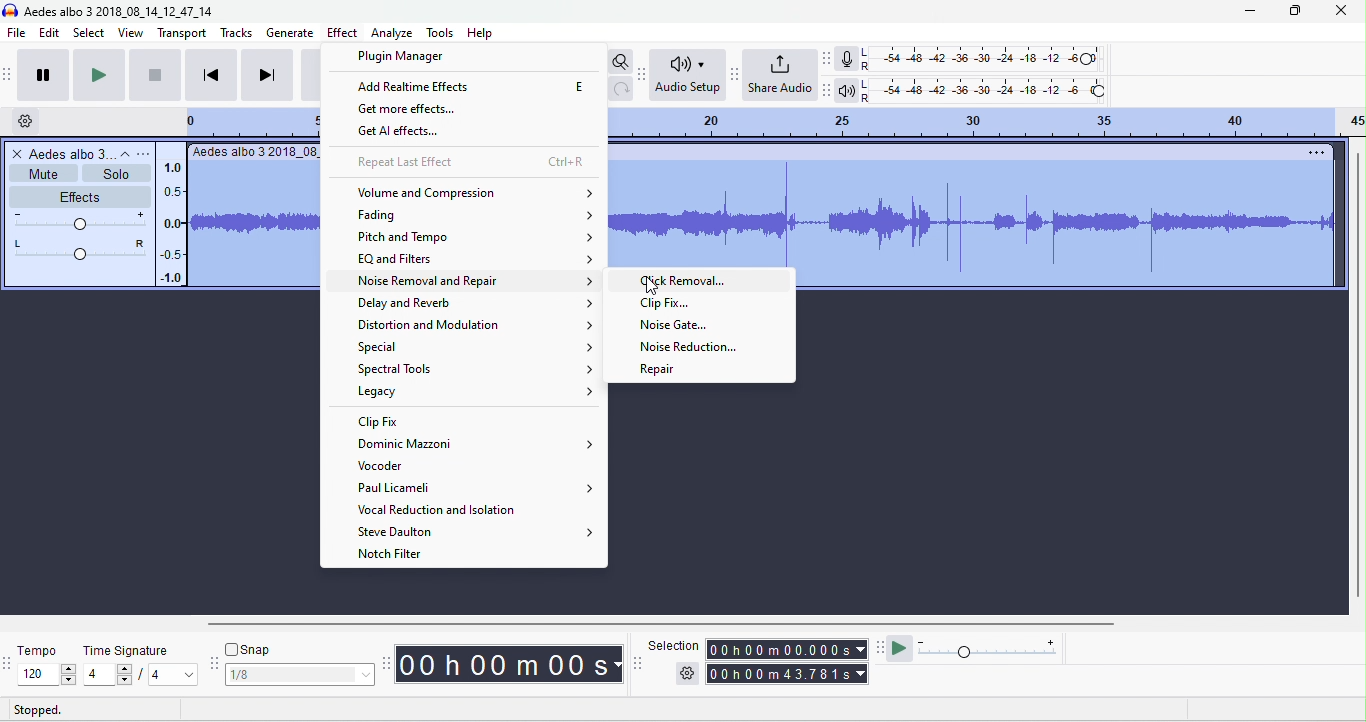 This screenshot has width=1366, height=722. Describe the element at coordinates (48, 674) in the screenshot. I see `select tempo` at that location.